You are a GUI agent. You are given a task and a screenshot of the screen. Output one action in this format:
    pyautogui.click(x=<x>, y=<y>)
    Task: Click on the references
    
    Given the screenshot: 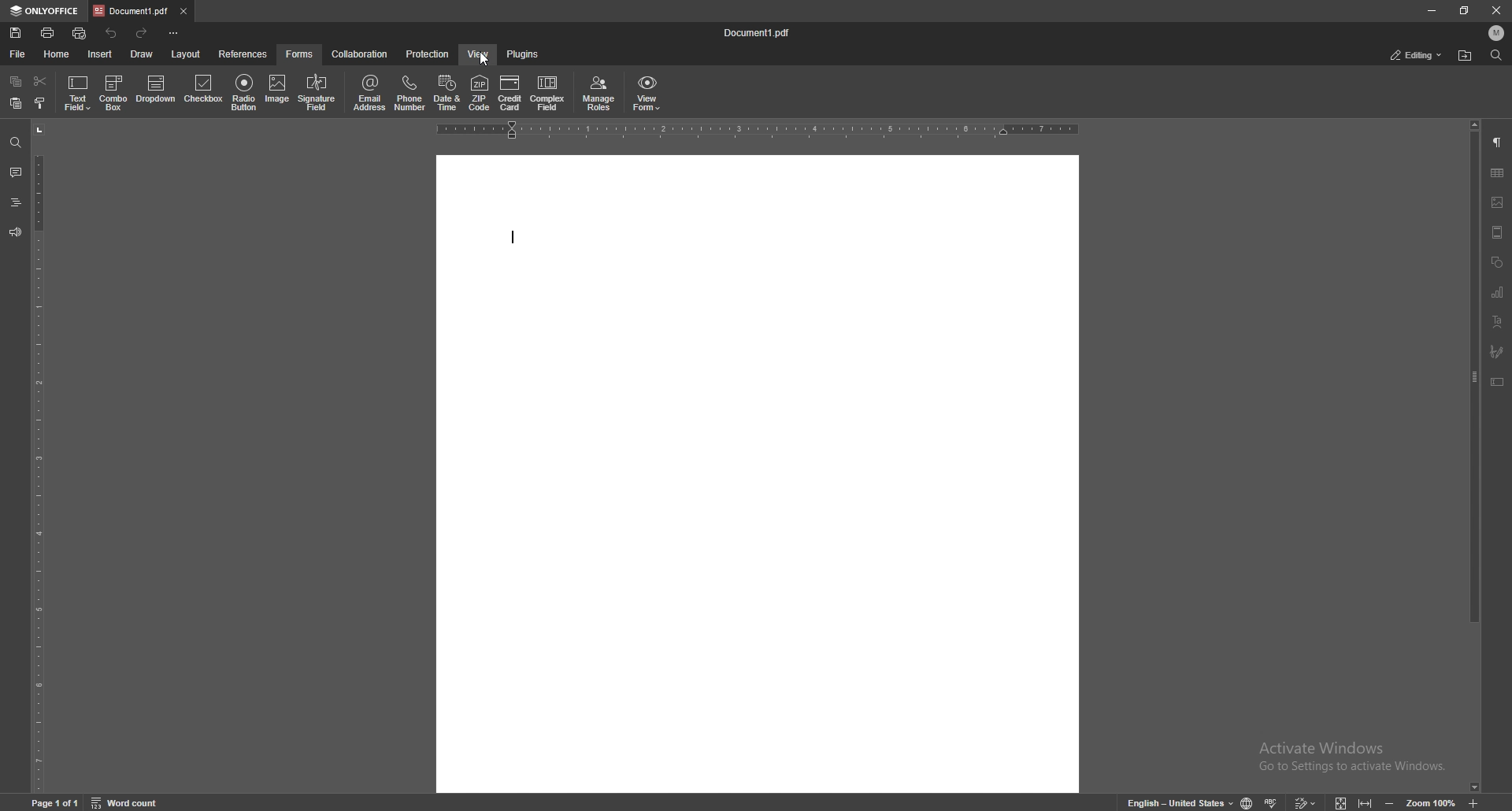 What is the action you would take?
    pyautogui.click(x=243, y=55)
    